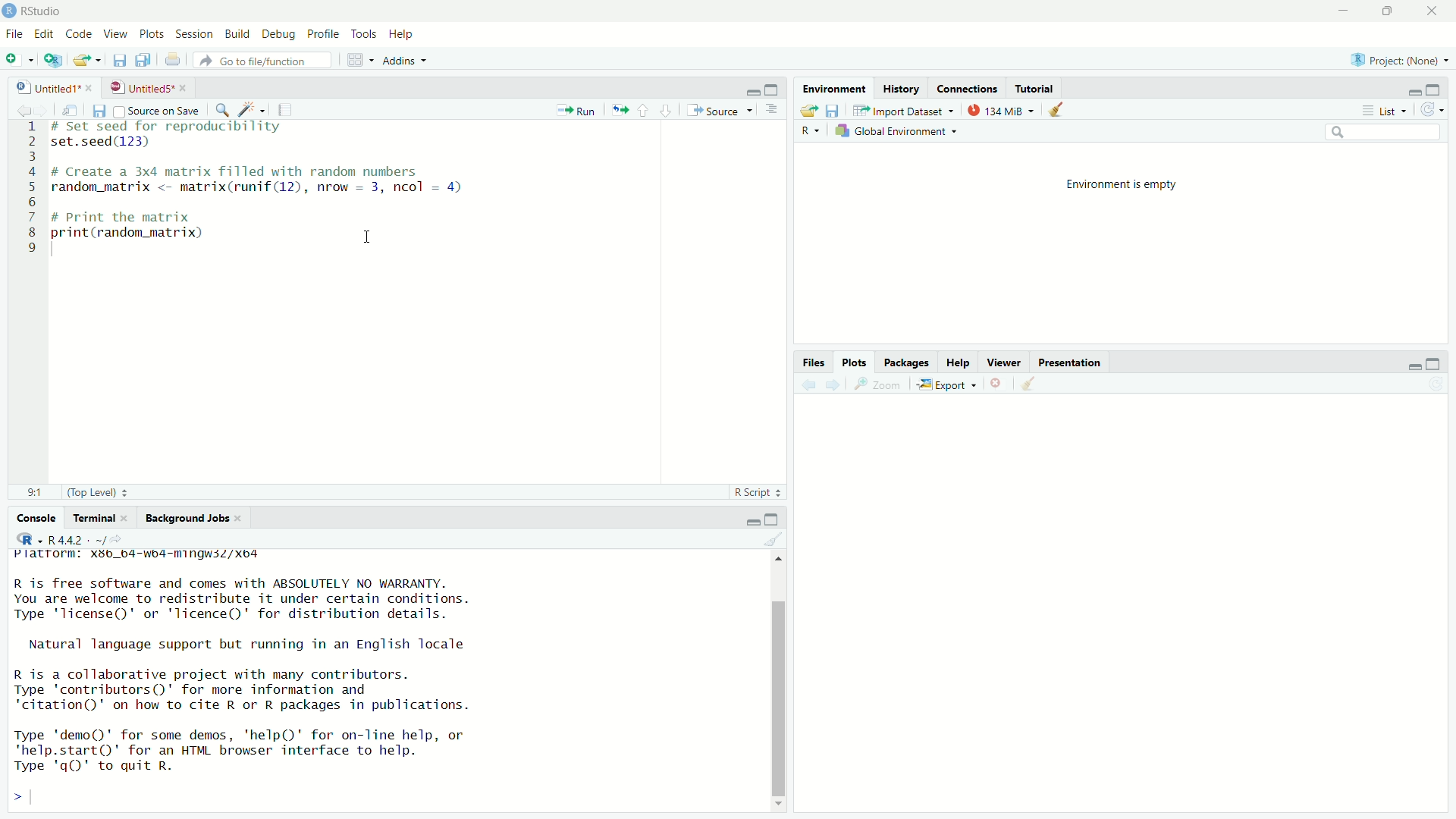 The height and width of the screenshot is (819, 1456). I want to click on save, so click(833, 112).